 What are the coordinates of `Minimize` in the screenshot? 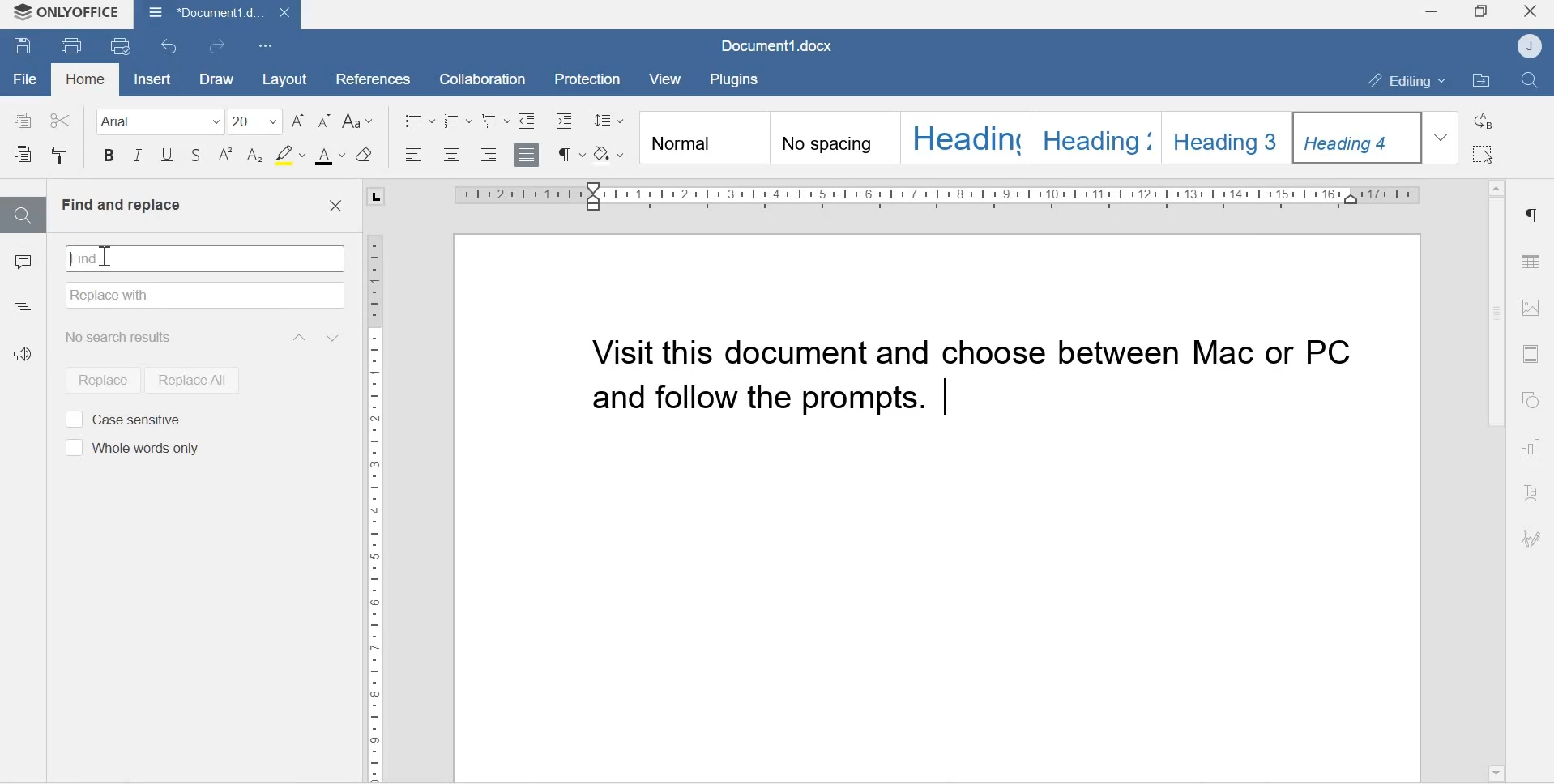 It's located at (1430, 14).